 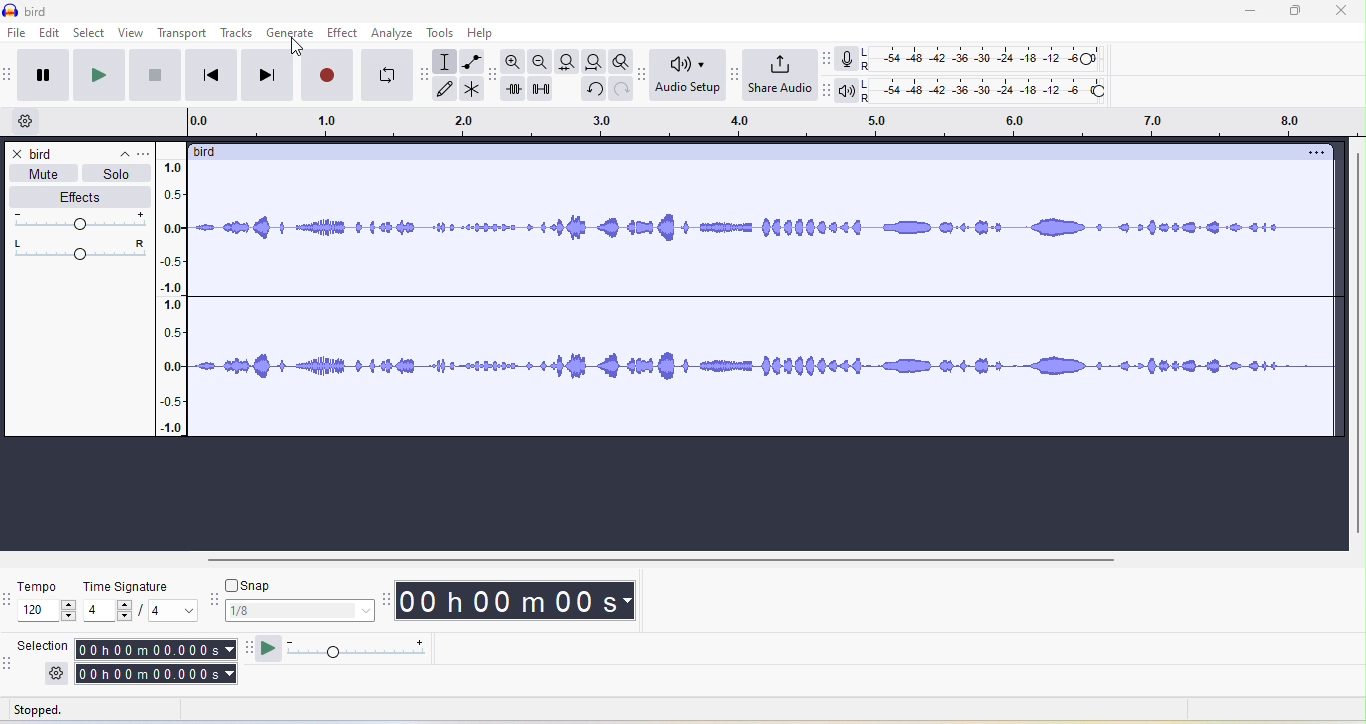 I want to click on open menu, so click(x=144, y=153).